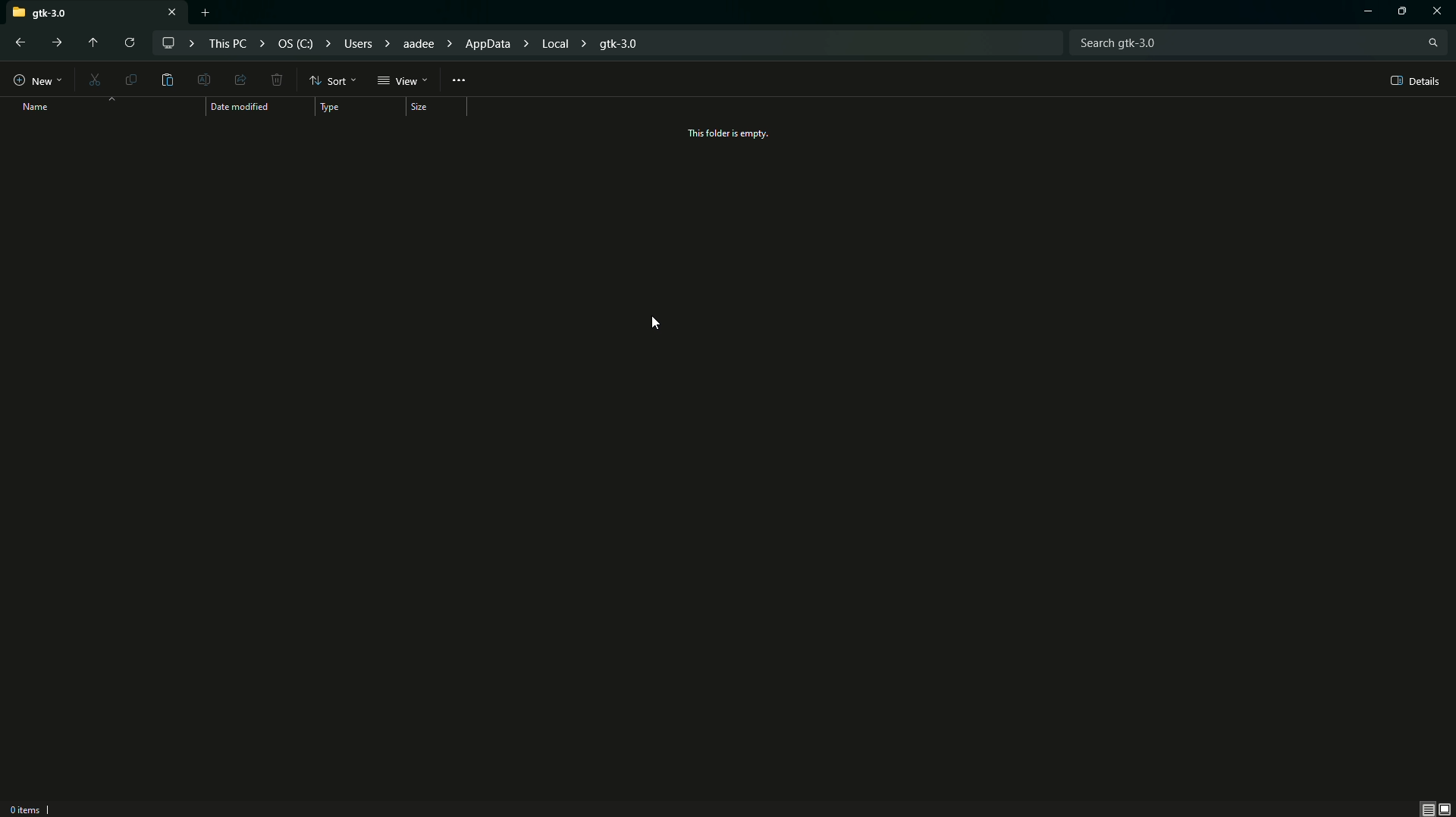 This screenshot has height=817, width=1456. Describe the element at coordinates (59, 44) in the screenshot. I see `Forward` at that location.